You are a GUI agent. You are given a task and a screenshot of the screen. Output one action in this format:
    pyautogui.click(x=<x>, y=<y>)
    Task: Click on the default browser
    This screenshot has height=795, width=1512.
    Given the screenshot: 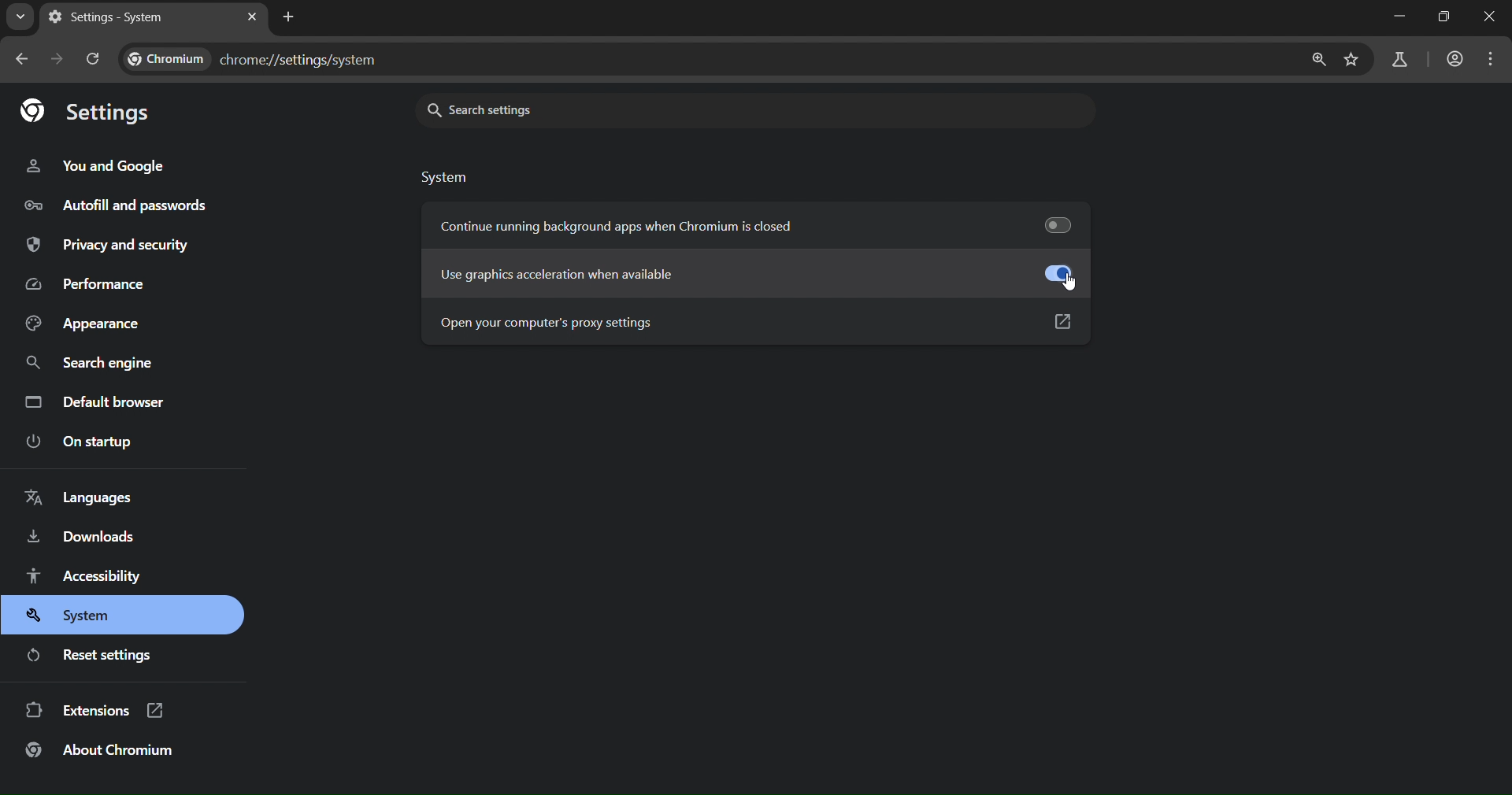 What is the action you would take?
    pyautogui.click(x=112, y=400)
    